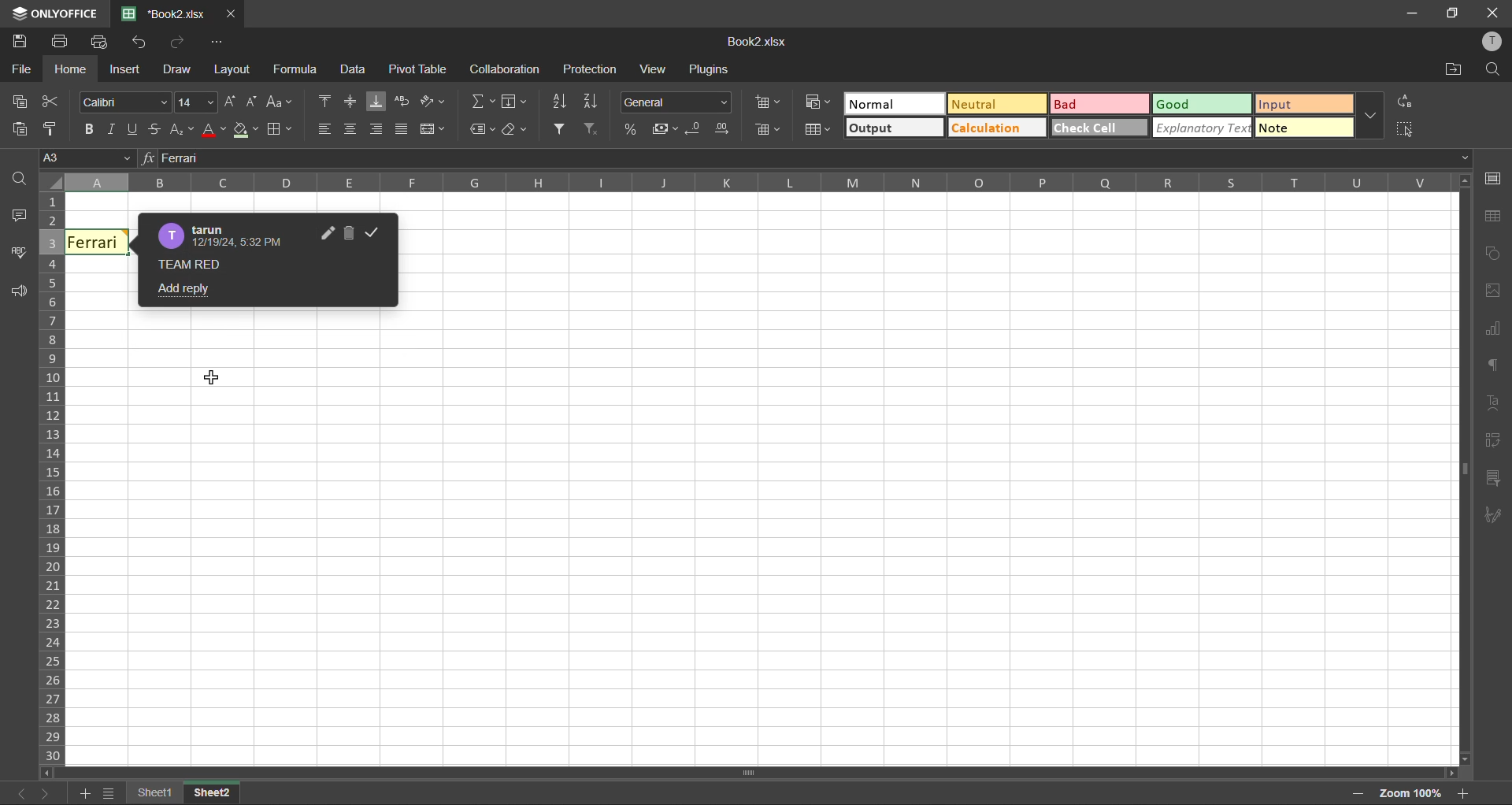  What do you see at coordinates (727, 131) in the screenshot?
I see `increase decimal` at bounding box center [727, 131].